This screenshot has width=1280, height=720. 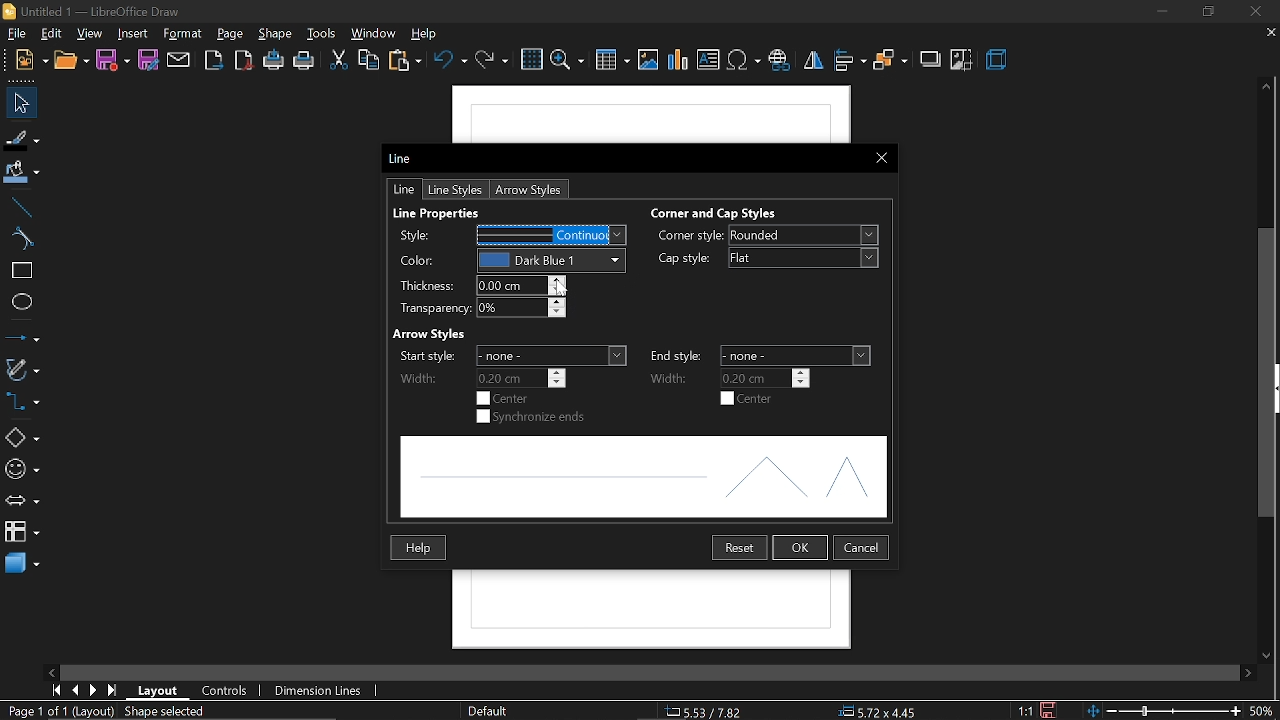 I want to click on end style, so click(x=797, y=356).